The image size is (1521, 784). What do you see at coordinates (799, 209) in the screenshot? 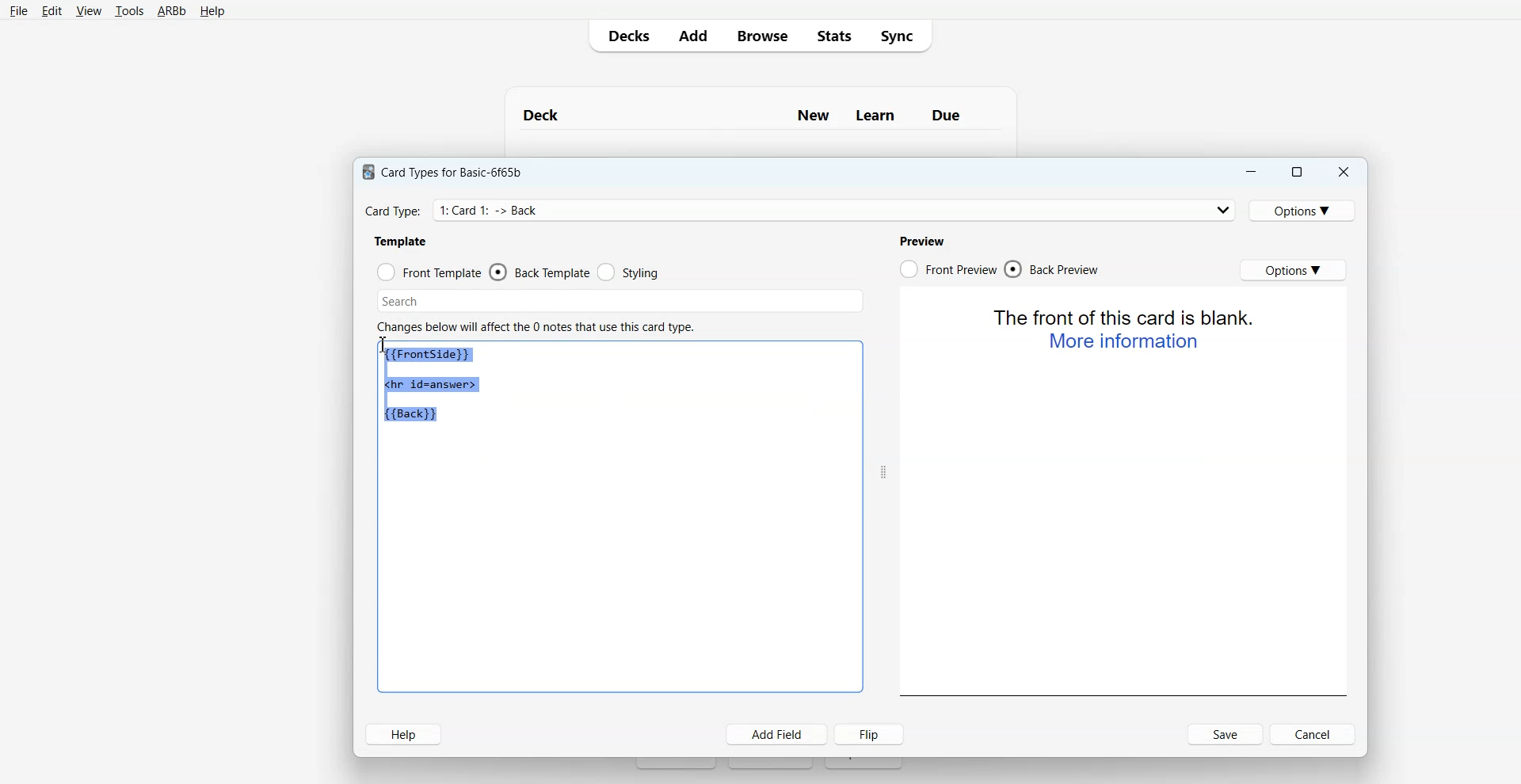
I see `Card Type` at bounding box center [799, 209].